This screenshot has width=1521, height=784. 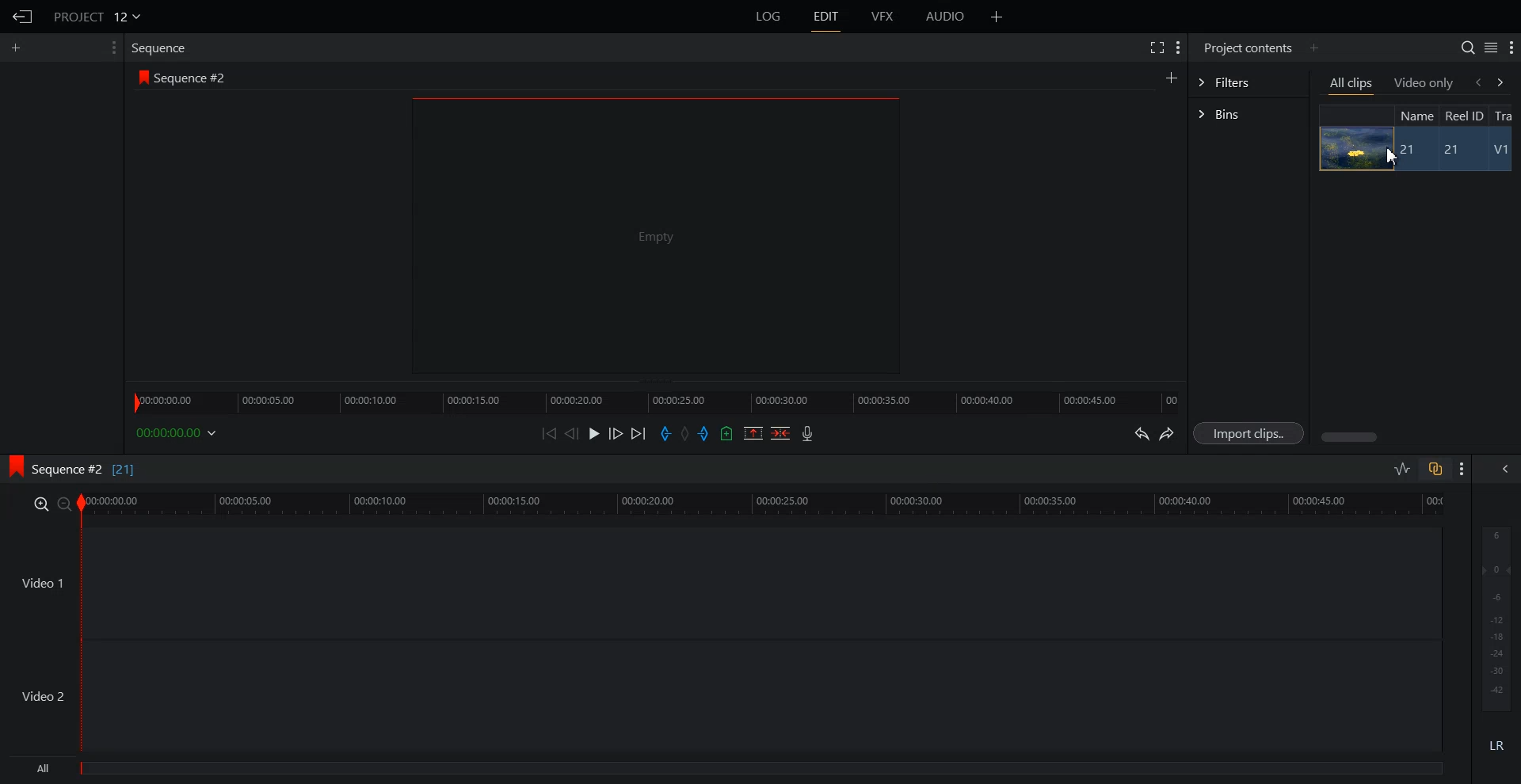 What do you see at coordinates (194, 78) in the screenshot?
I see `Sequence #2` at bounding box center [194, 78].